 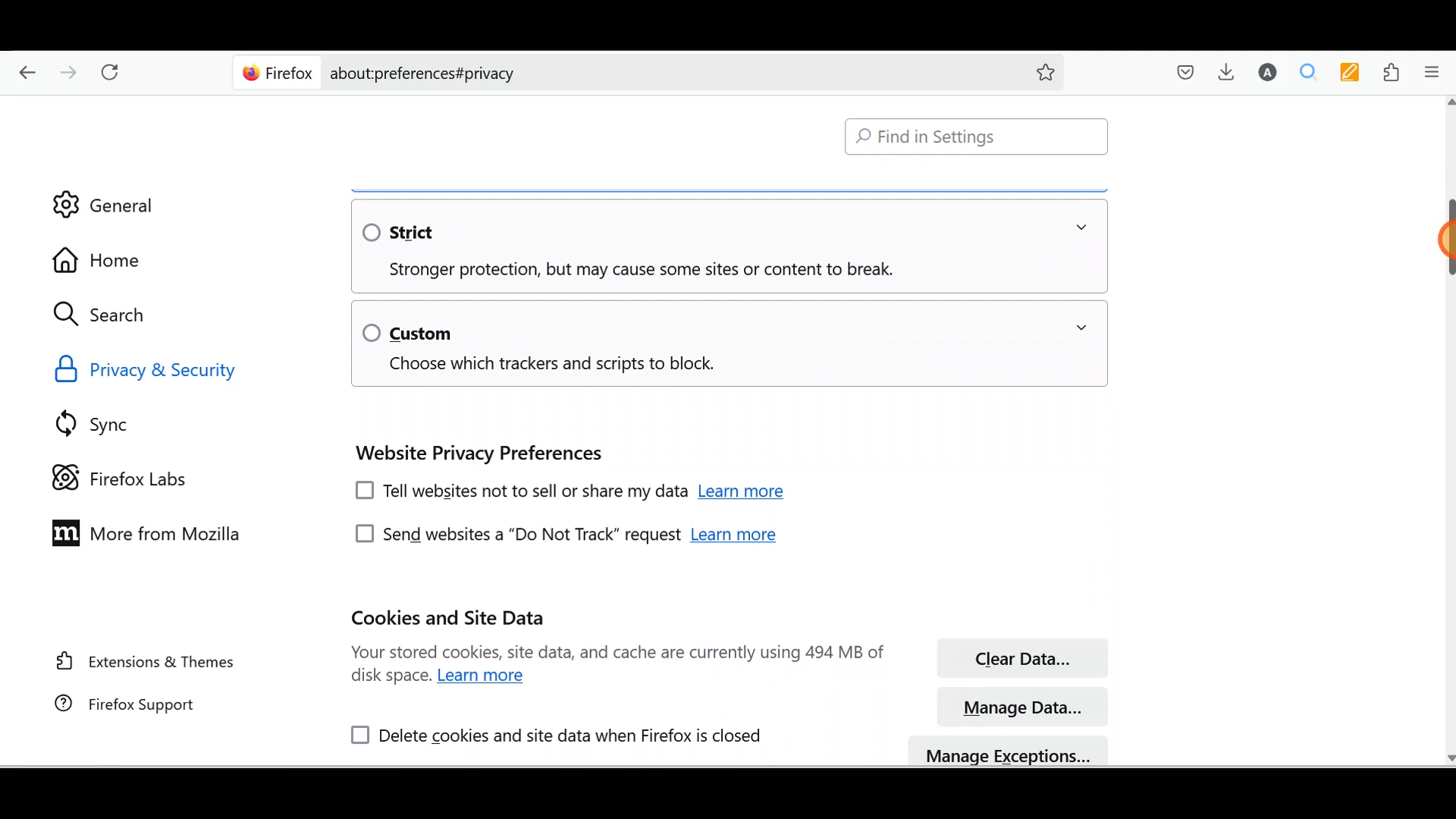 I want to click on move up, so click(x=1447, y=102).